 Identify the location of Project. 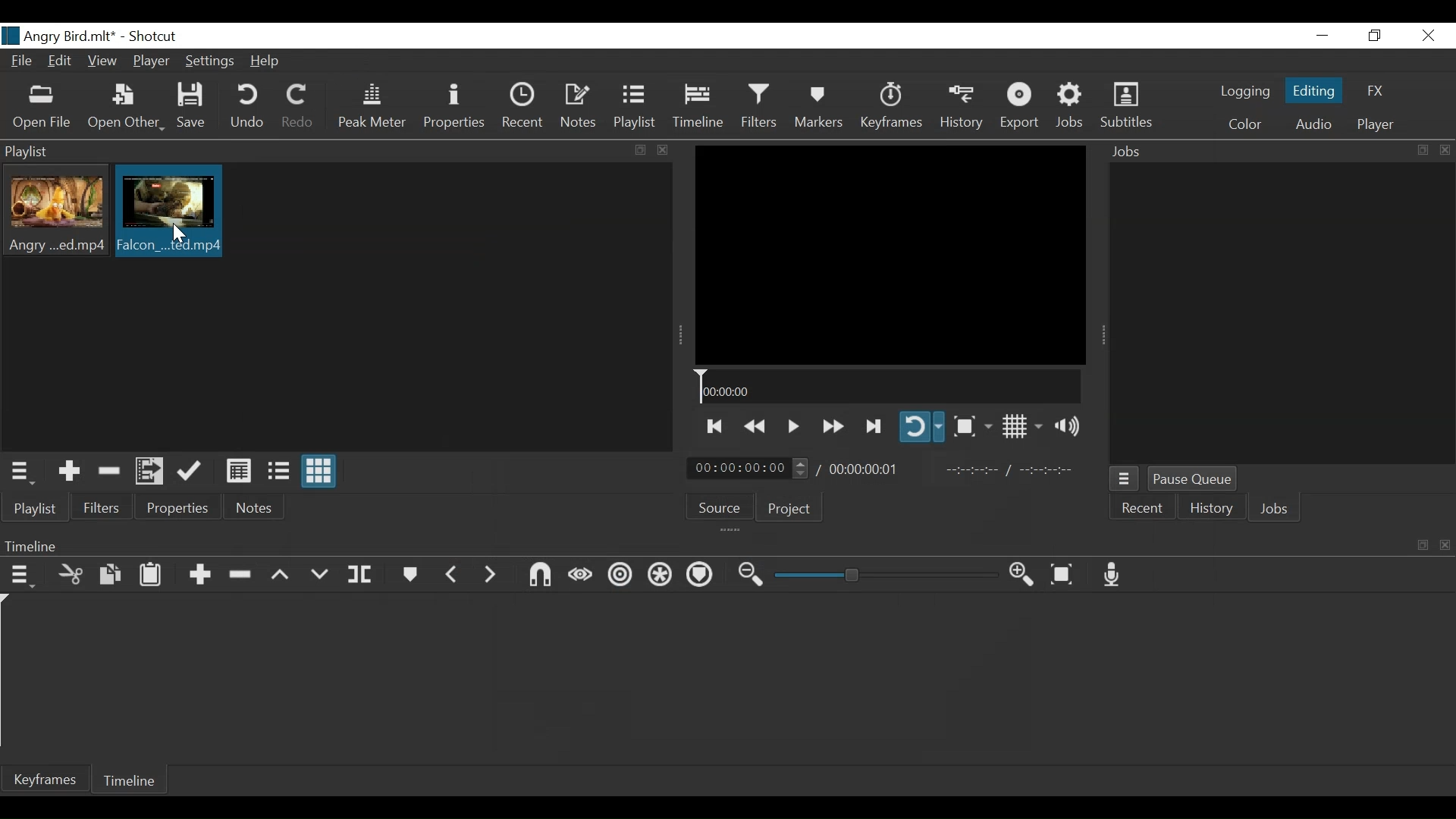
(789, 508).